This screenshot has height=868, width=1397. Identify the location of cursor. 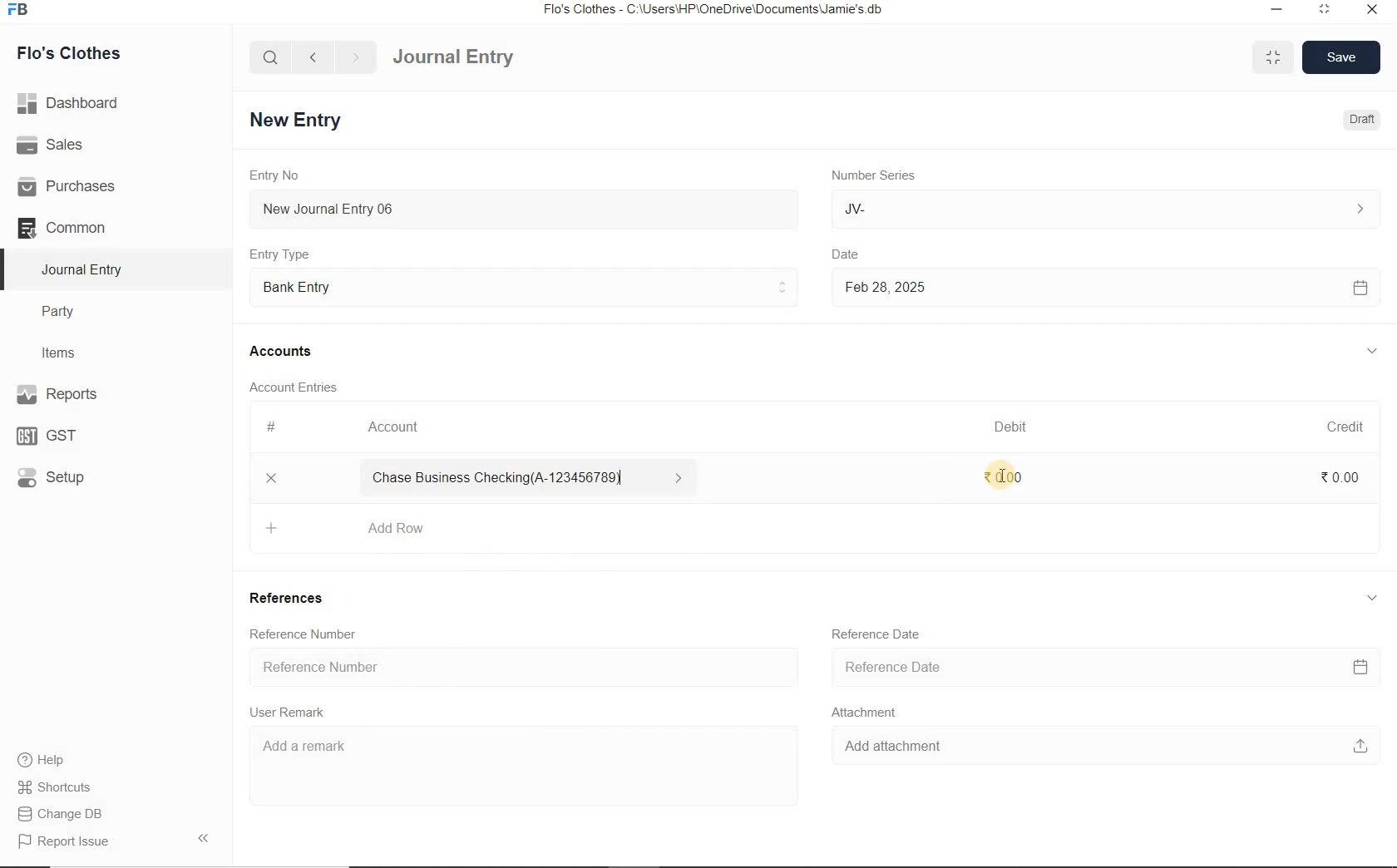
(1006, 478).